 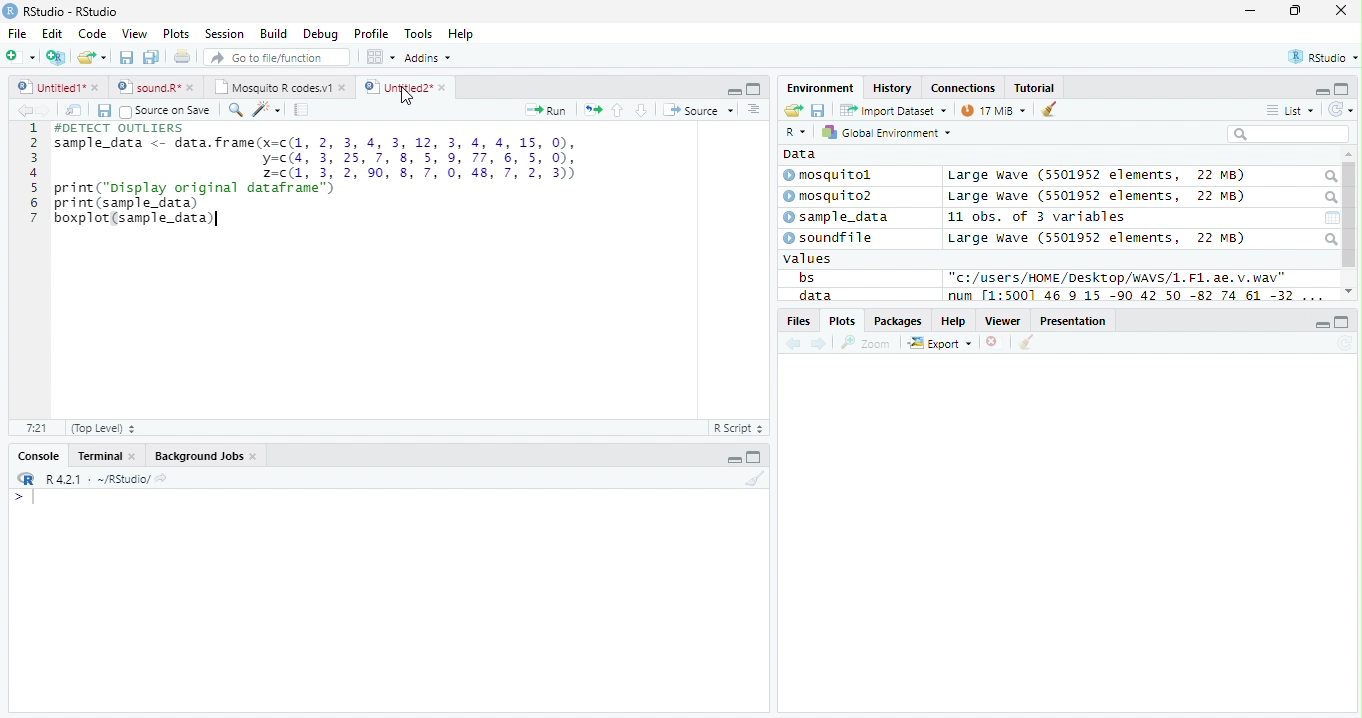 What do you see at coordinates (1349, 291) in the screenshot?
I see `scroll down` at bounding box center [1349, 291].